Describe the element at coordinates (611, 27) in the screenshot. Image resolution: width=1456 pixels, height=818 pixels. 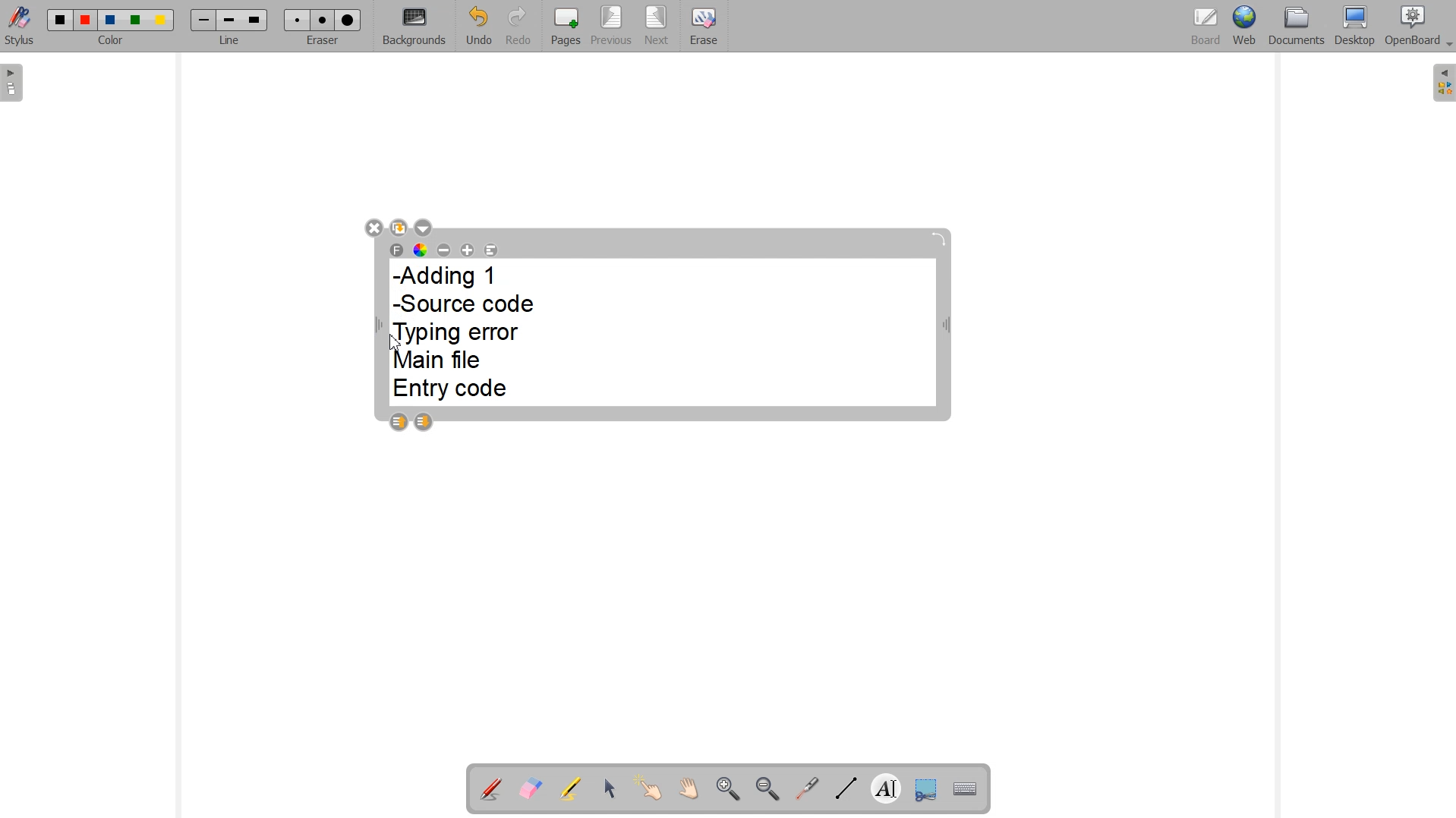
I see `Previous` at that location.